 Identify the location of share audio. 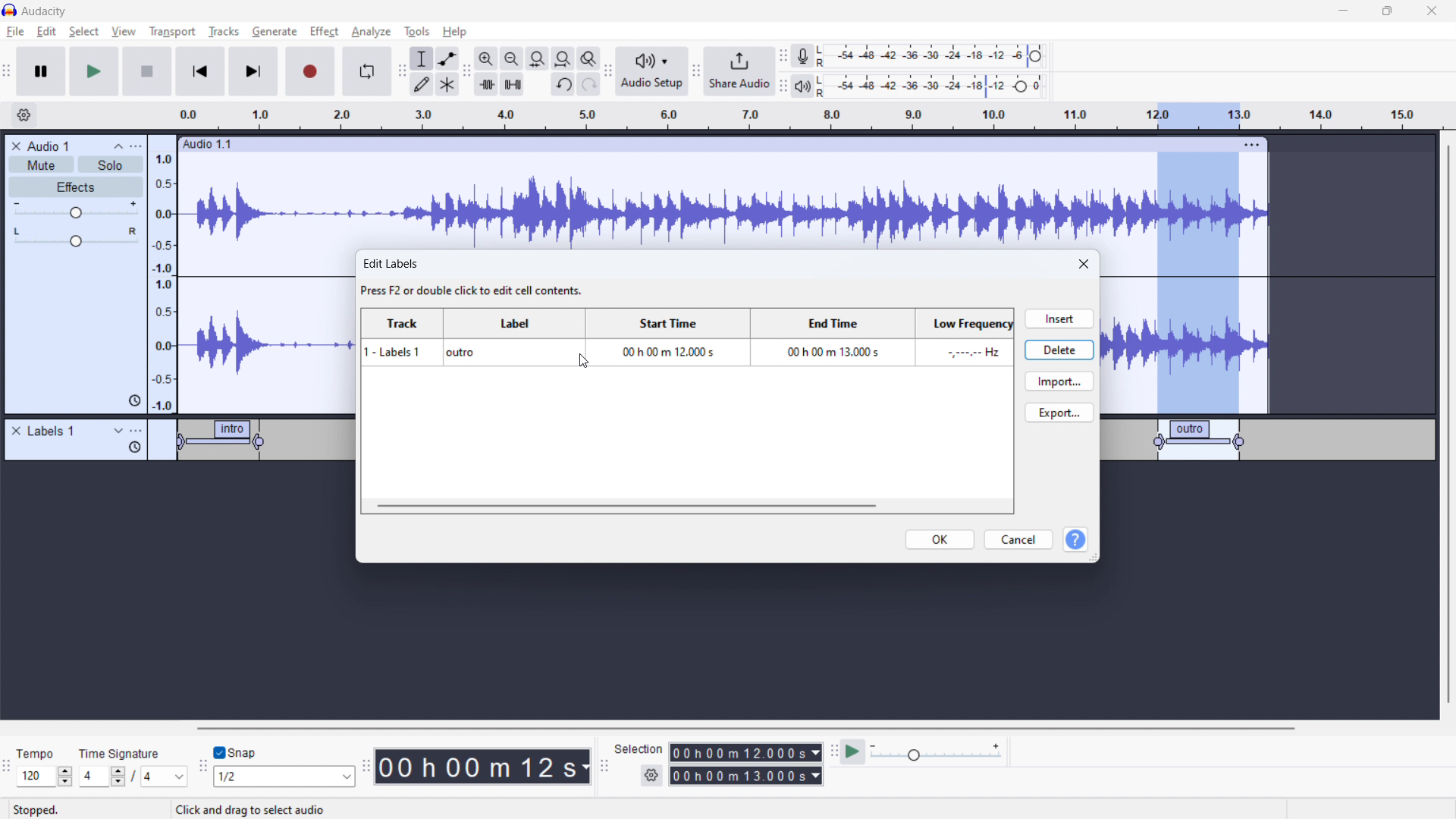
(738, 71).